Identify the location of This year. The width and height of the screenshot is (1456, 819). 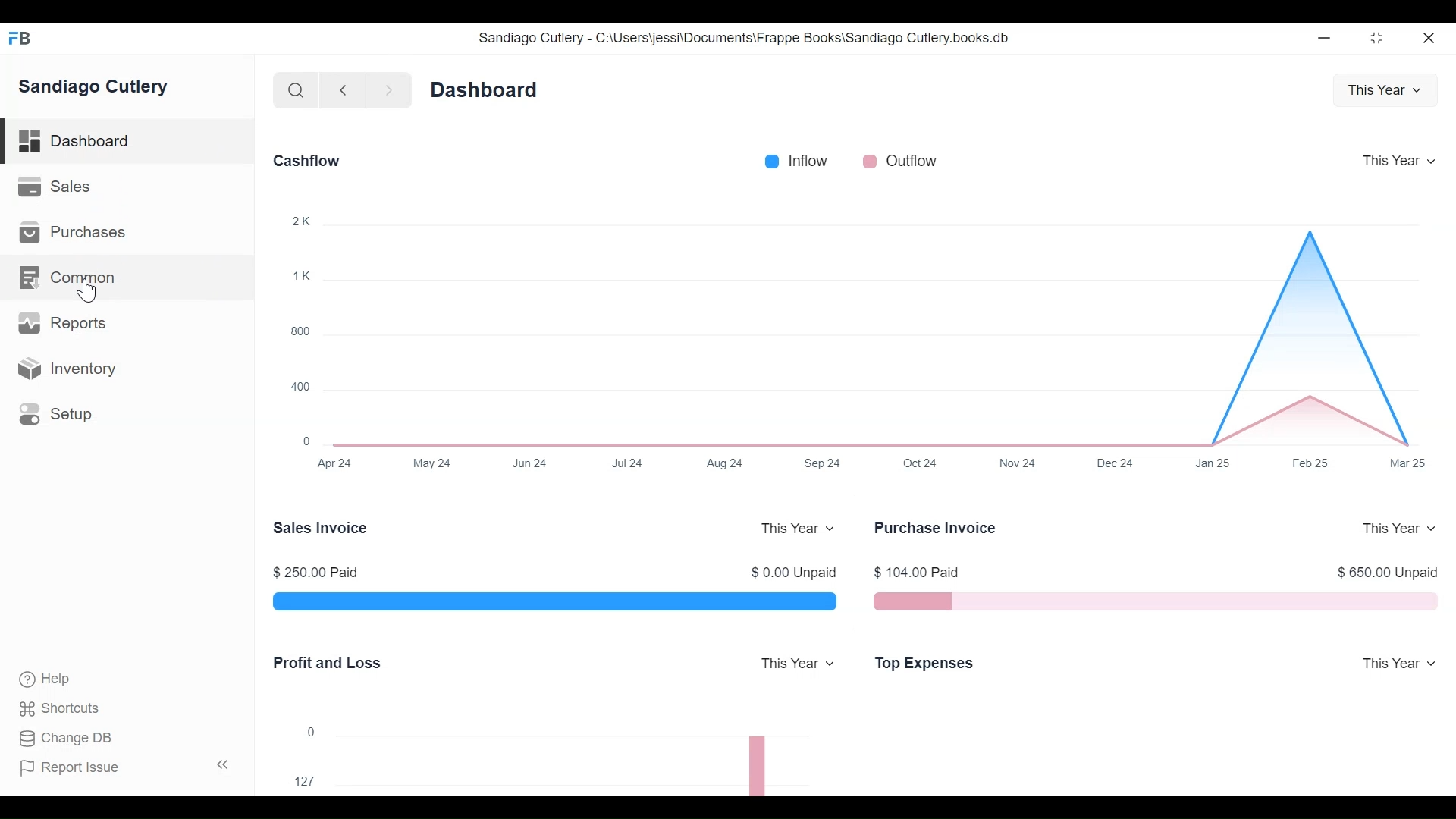
(795, 528).